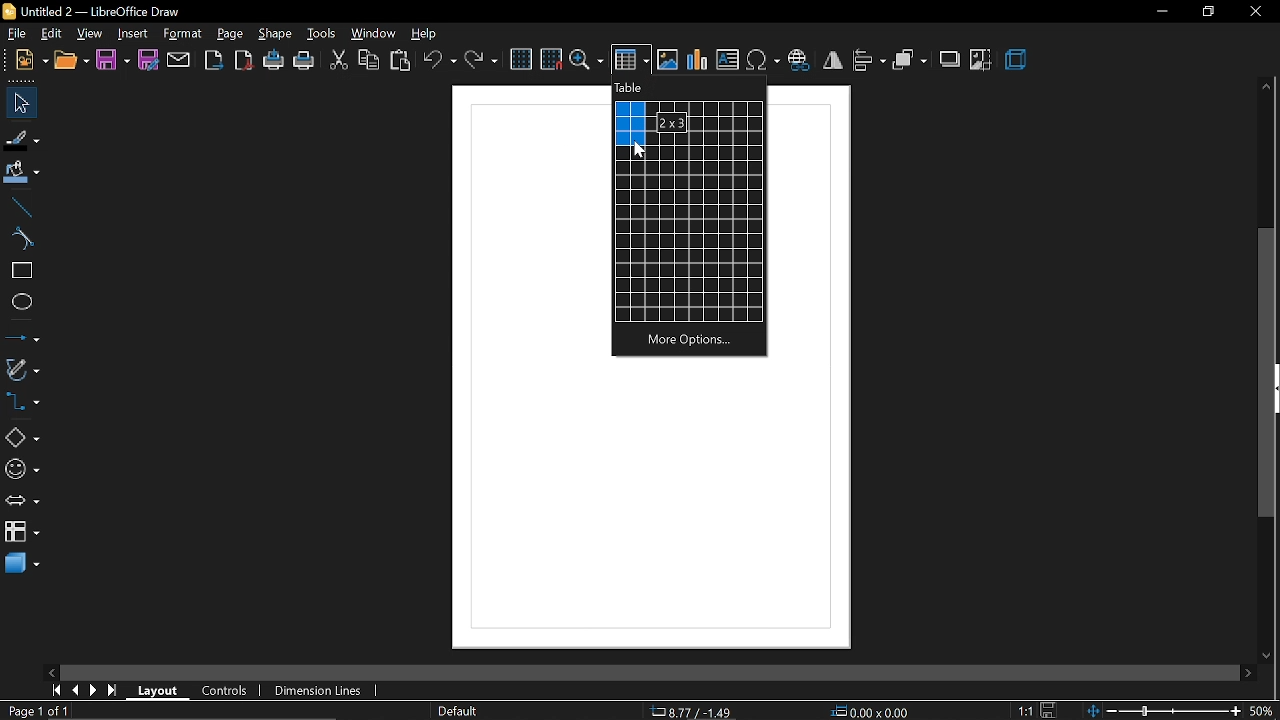 This screenshot has height=720, width=1280. I want to click on insert image, so click(669, 59).